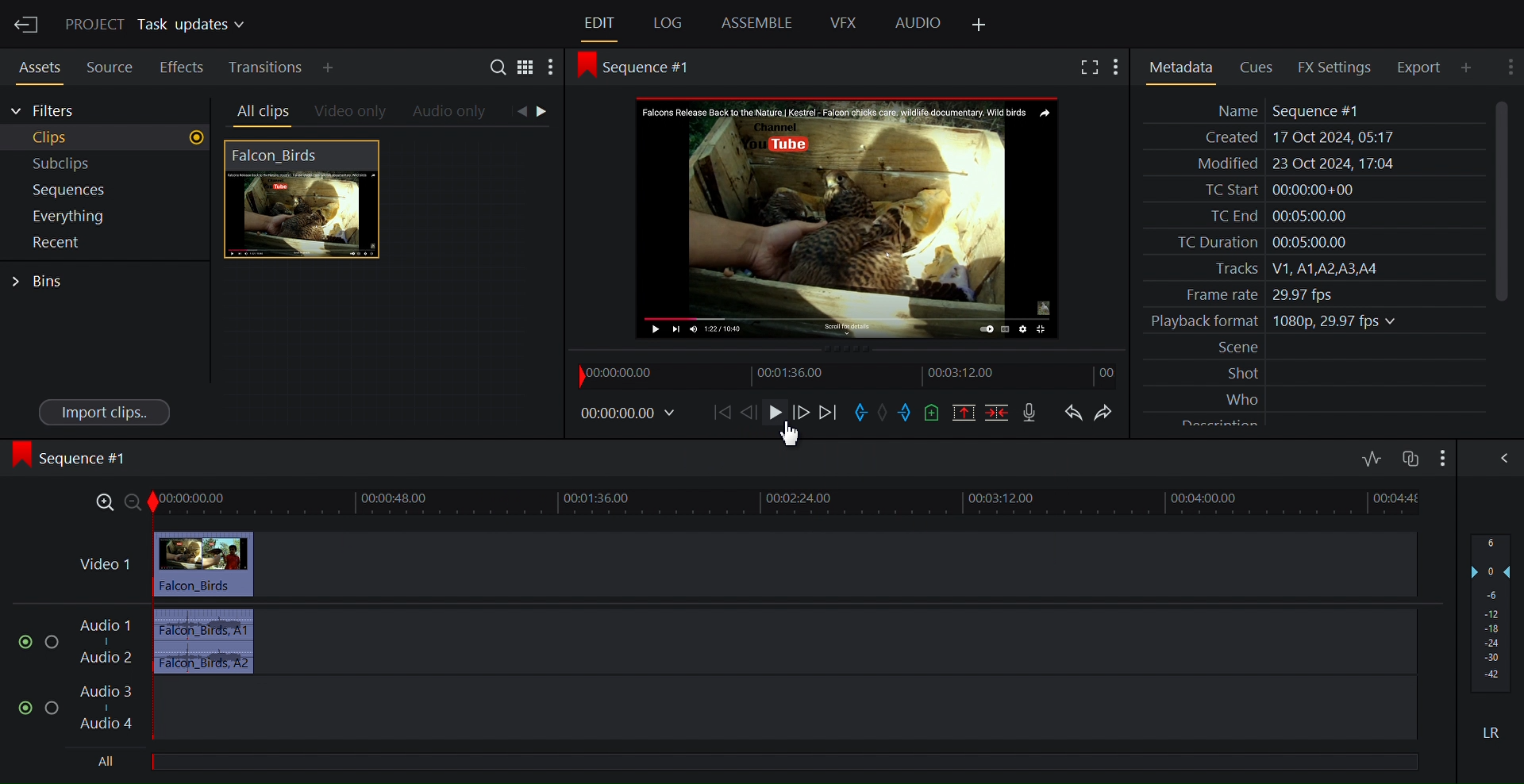  Describe the element at coordinates (645, 67) in the screenshot. I see `Sequence #1` at that location.